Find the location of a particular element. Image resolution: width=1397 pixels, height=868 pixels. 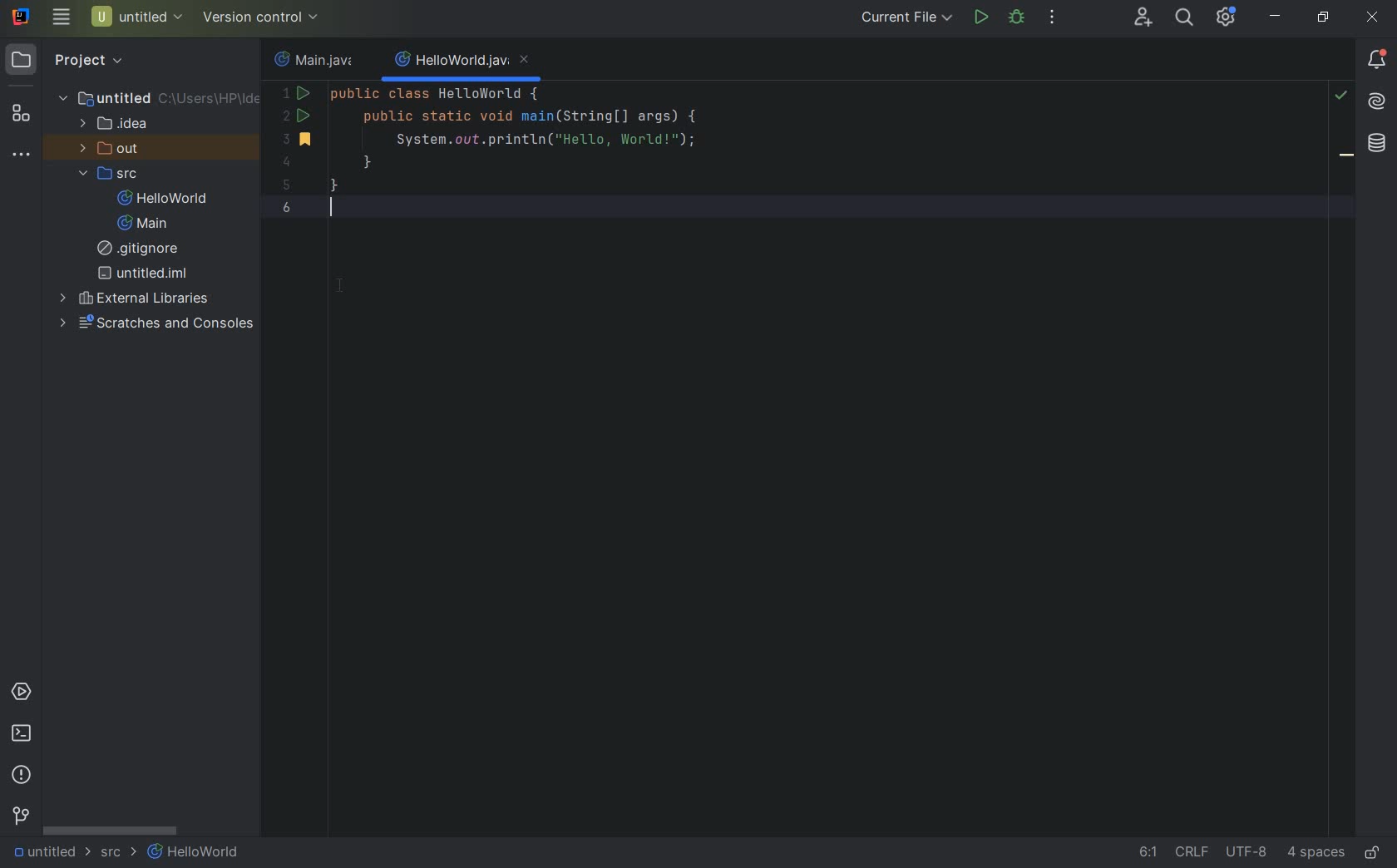

untitled is located at coordinates (160, 97).